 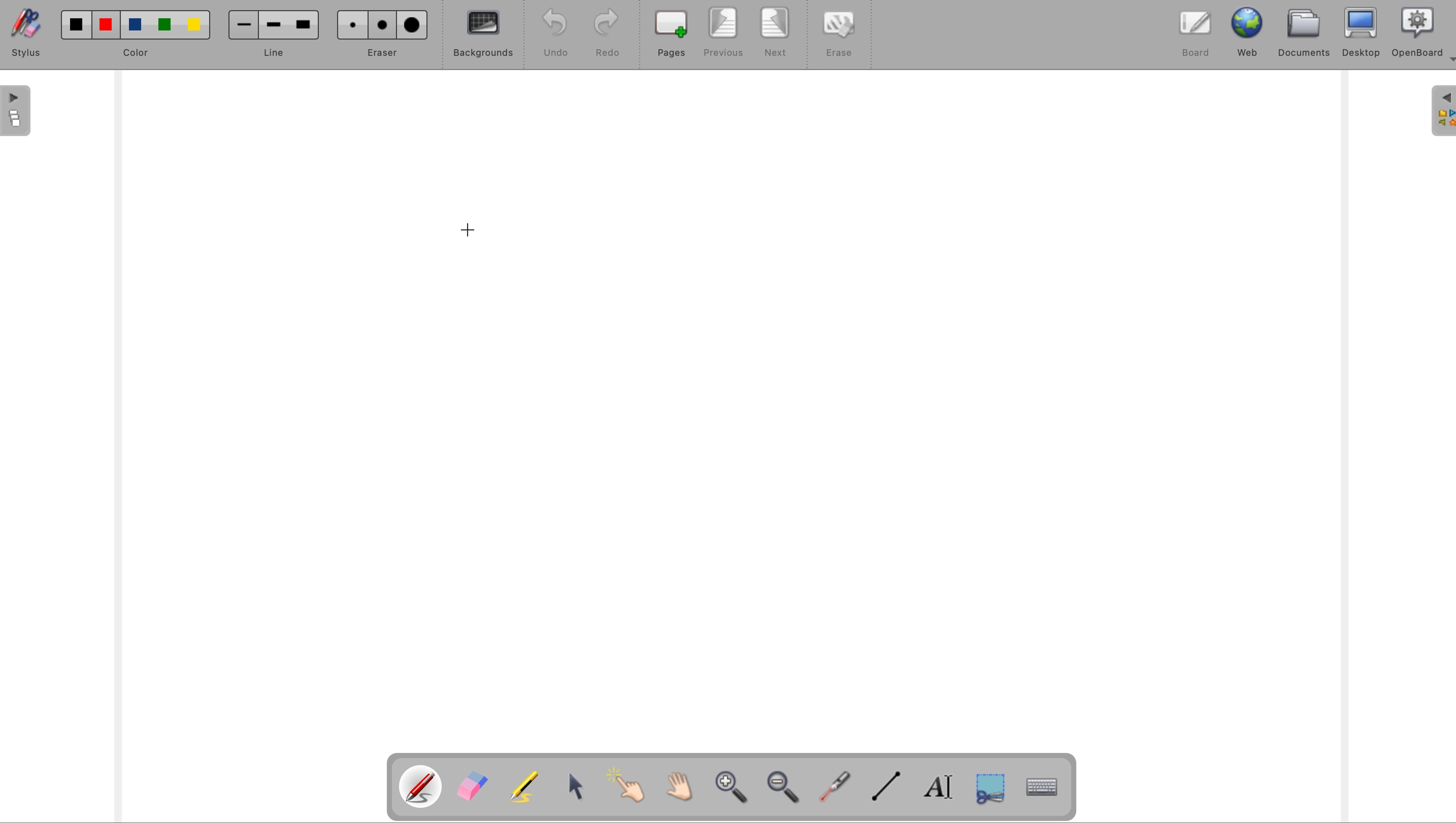 I want to click on line, so click(x=271, y=35).